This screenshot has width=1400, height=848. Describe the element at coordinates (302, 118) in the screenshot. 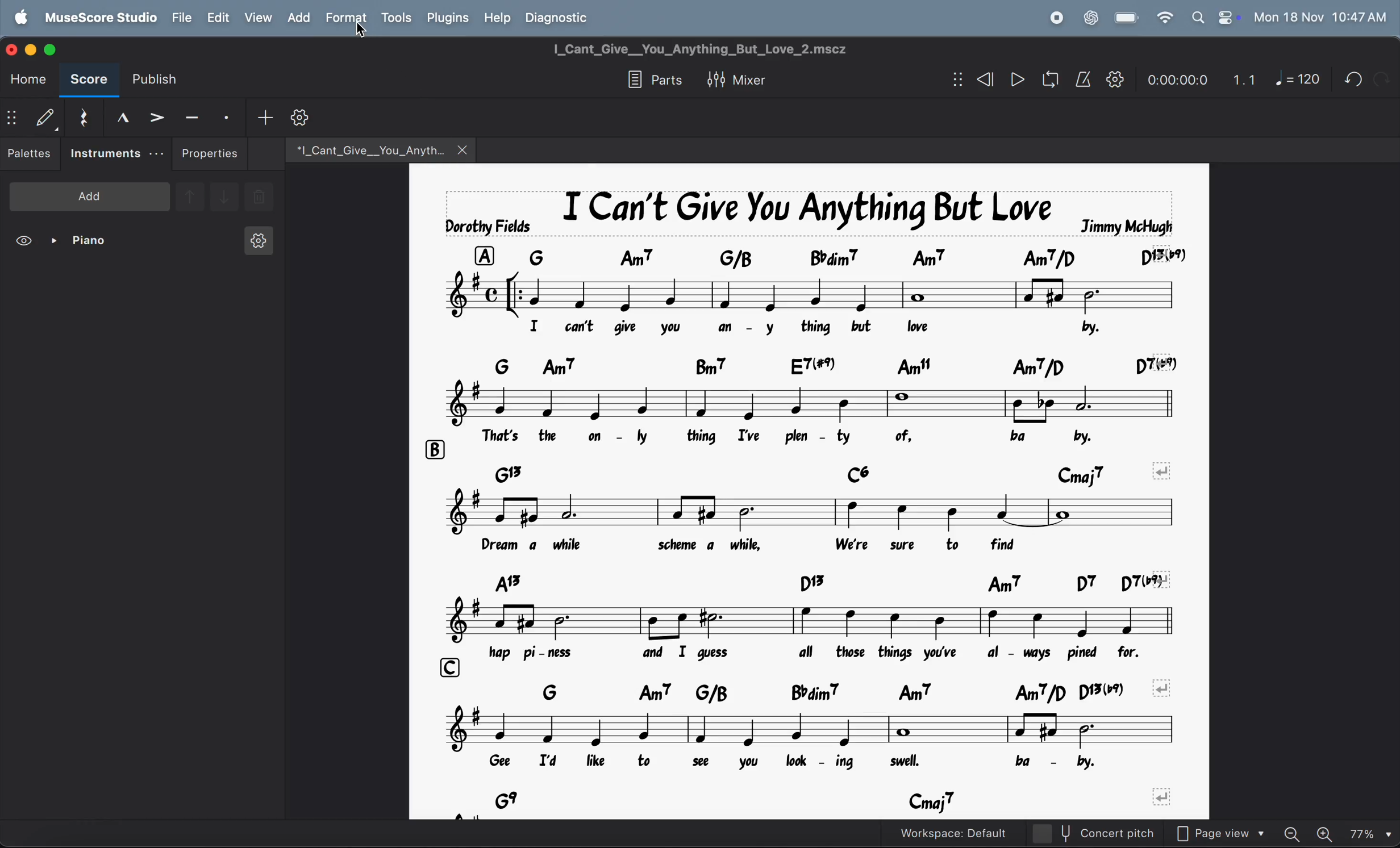

I see `toolbar setting` at that location.